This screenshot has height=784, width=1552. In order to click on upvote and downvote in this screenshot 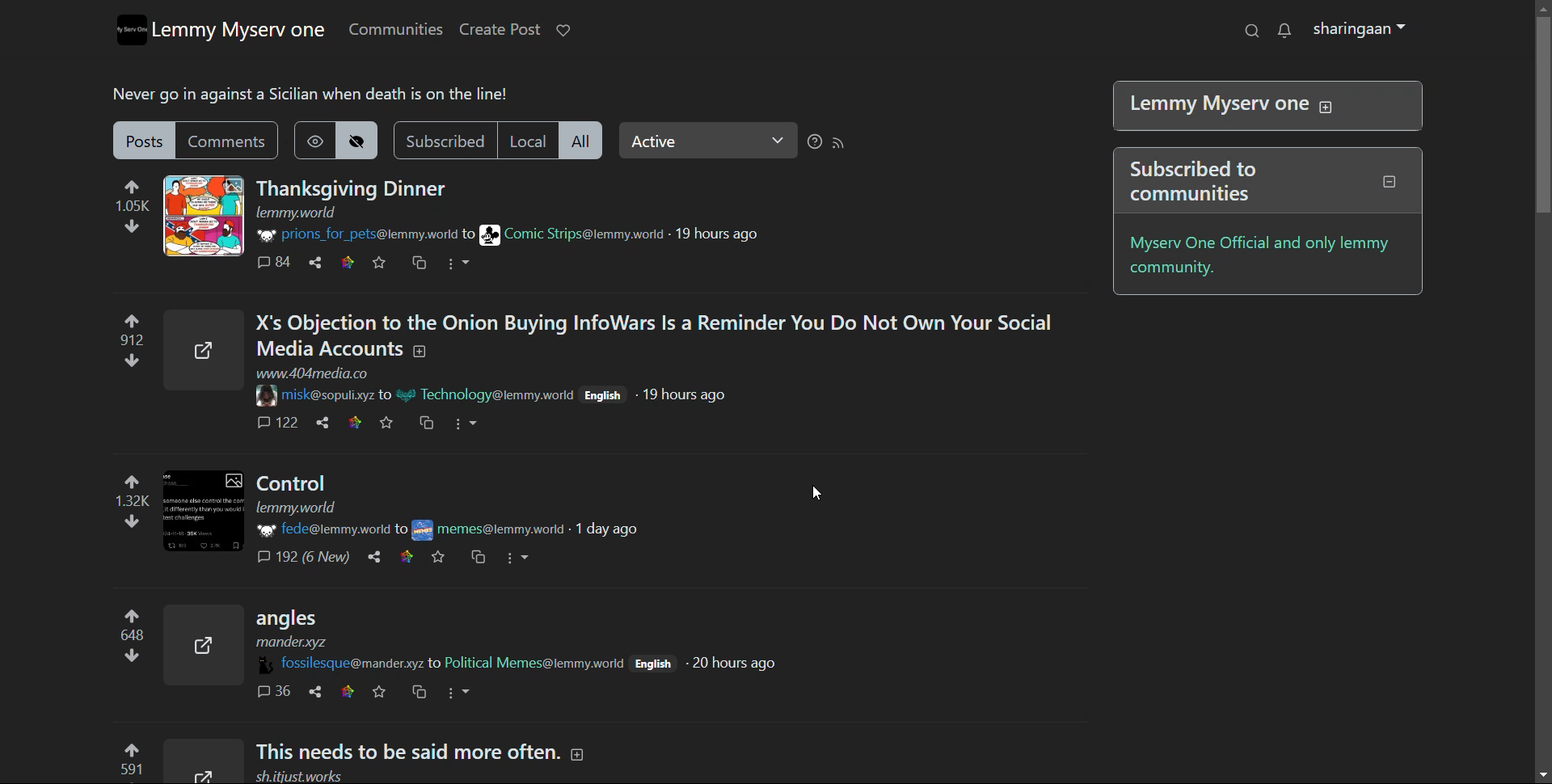, I will do `click(123, 641)`.